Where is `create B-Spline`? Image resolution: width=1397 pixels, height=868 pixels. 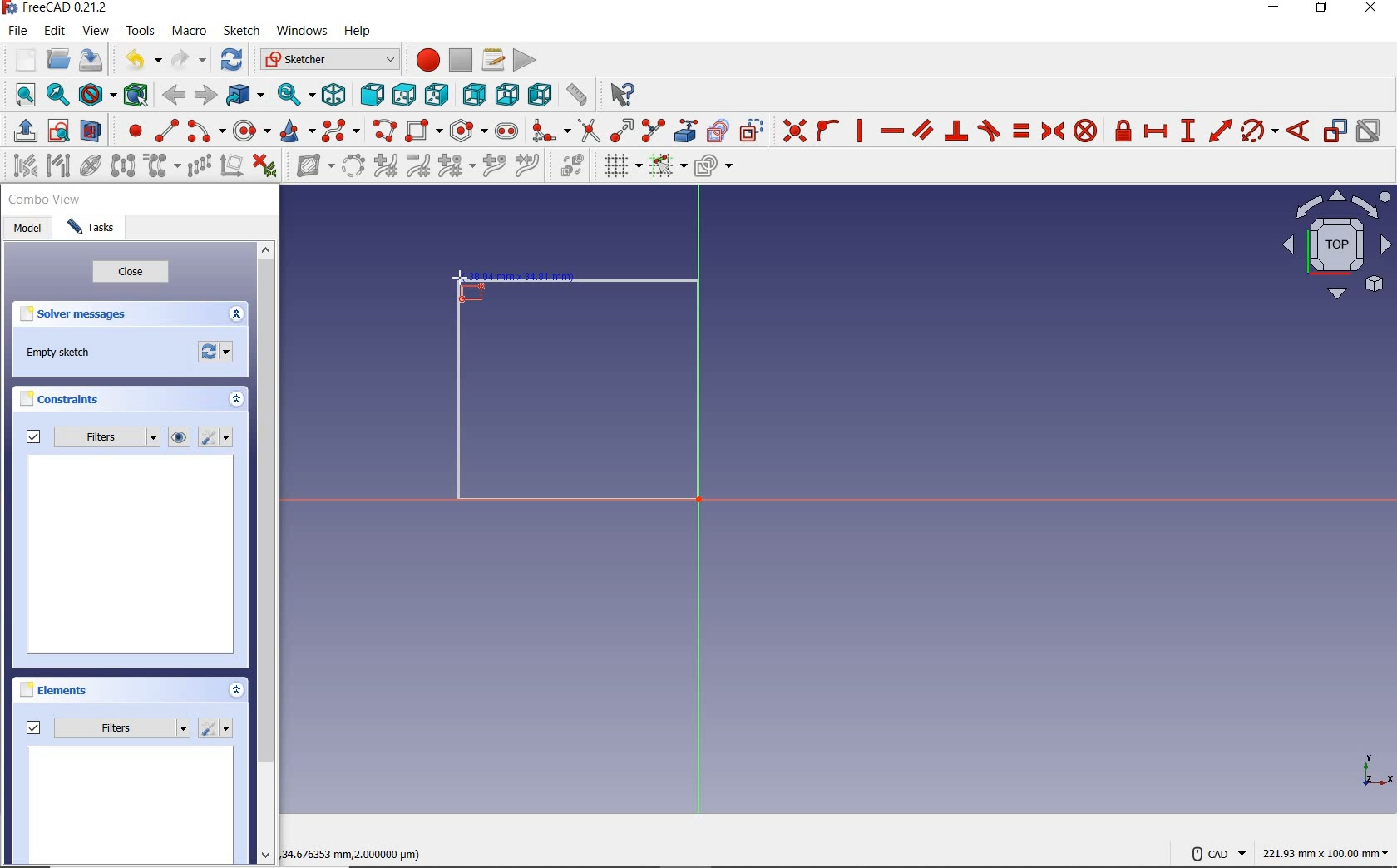
create B-Spline is located at coordinates (343, 131).